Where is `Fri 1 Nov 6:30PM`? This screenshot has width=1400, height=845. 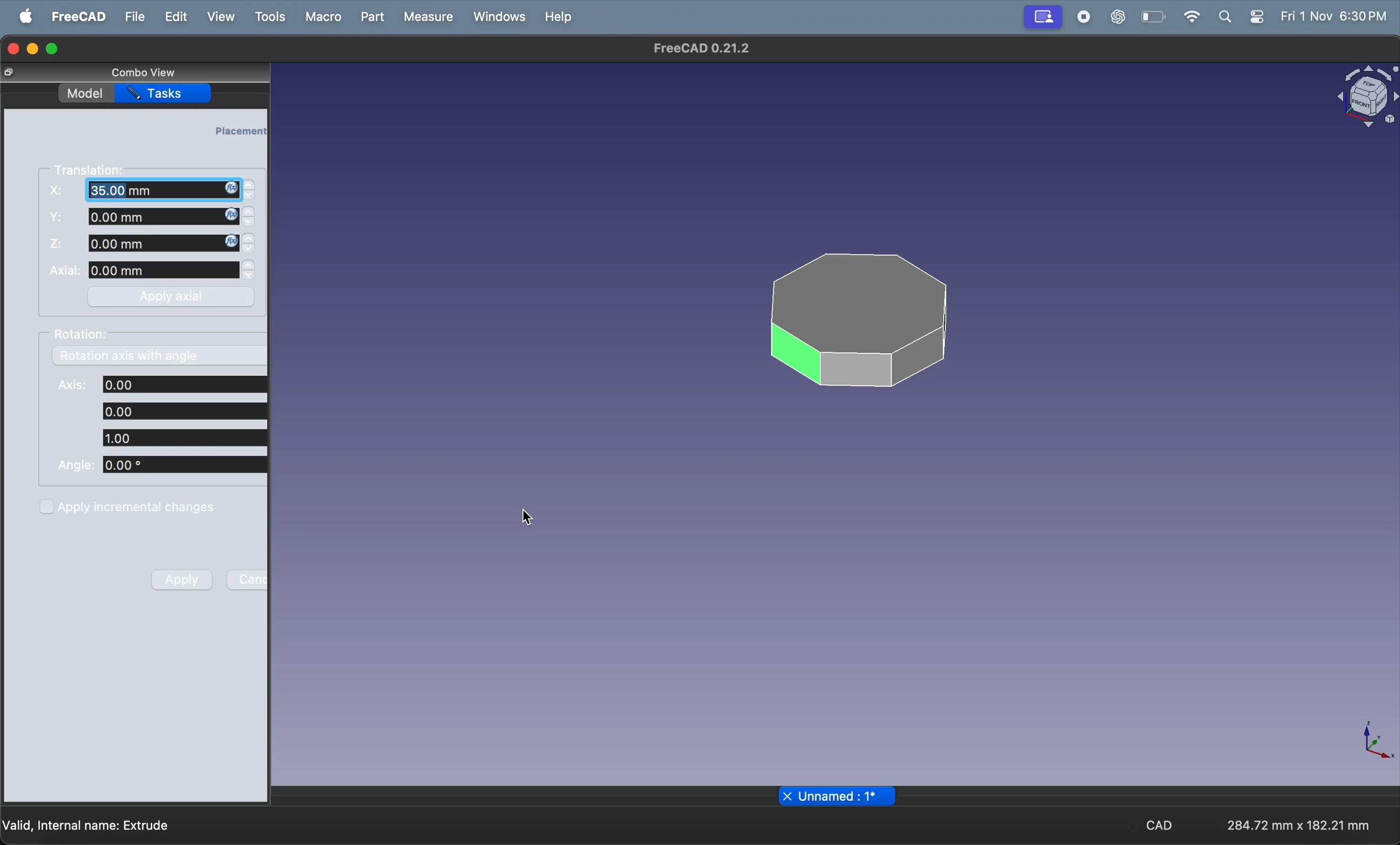
Fri 1 Nov 6:30PM is located at coordinates (1336, 16).